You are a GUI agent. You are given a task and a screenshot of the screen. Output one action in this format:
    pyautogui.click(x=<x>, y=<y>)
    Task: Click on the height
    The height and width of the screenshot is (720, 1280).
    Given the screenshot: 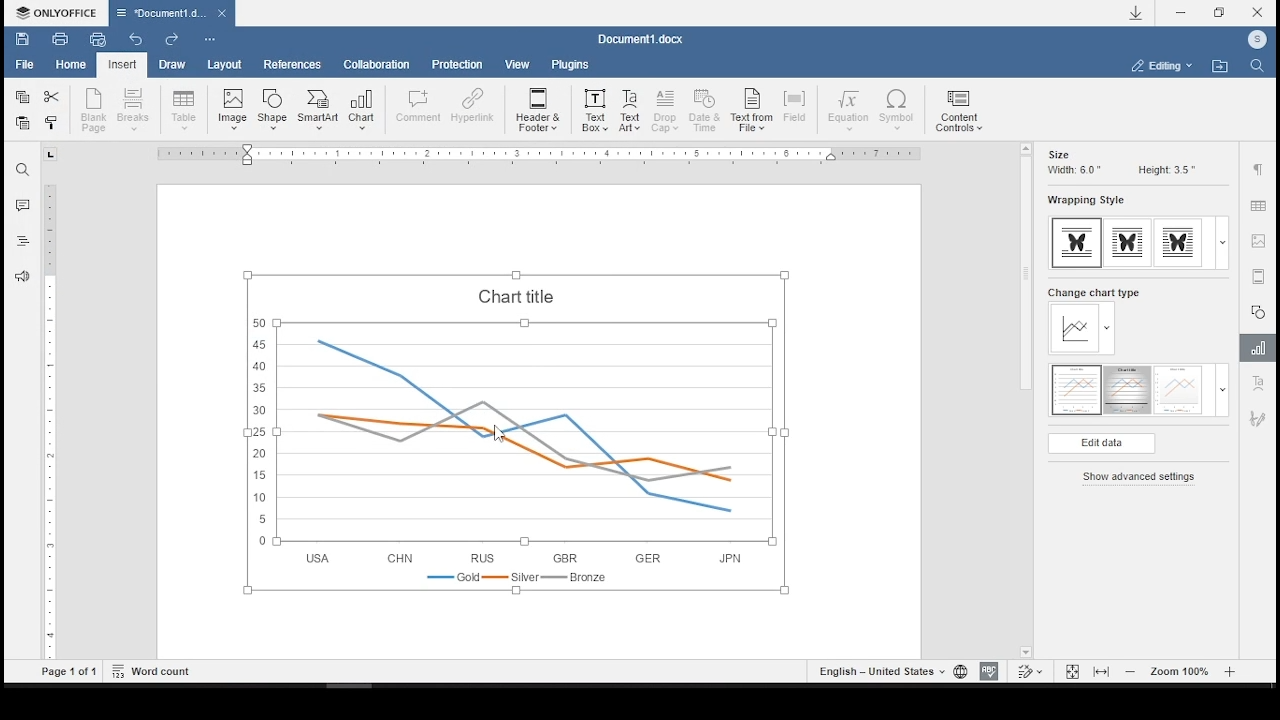 What is the action you would take?
    pyautogui.click(x=1166, y=170)
    